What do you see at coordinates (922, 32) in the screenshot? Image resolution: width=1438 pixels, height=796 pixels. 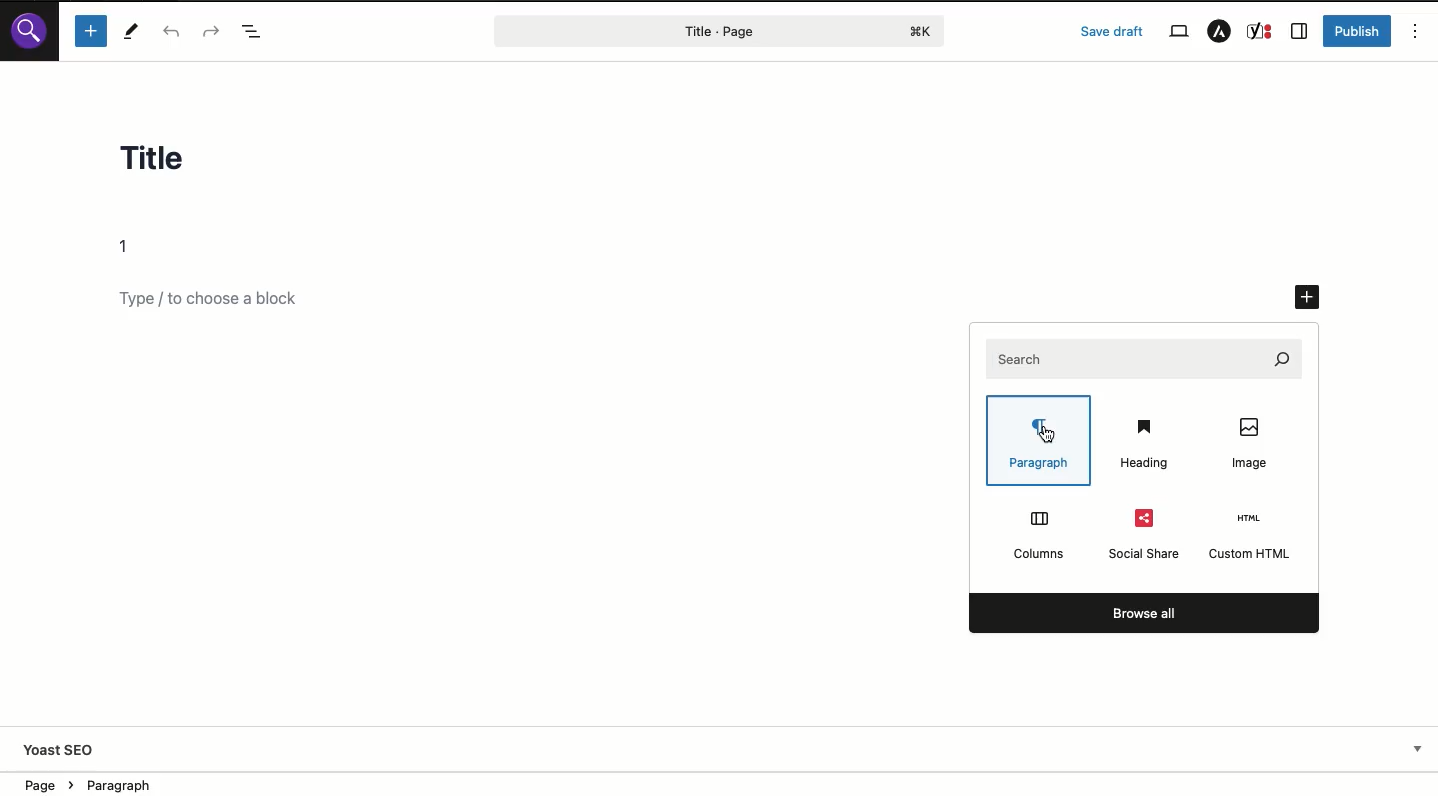 I see `command+K` at bounding box center [922, 32].